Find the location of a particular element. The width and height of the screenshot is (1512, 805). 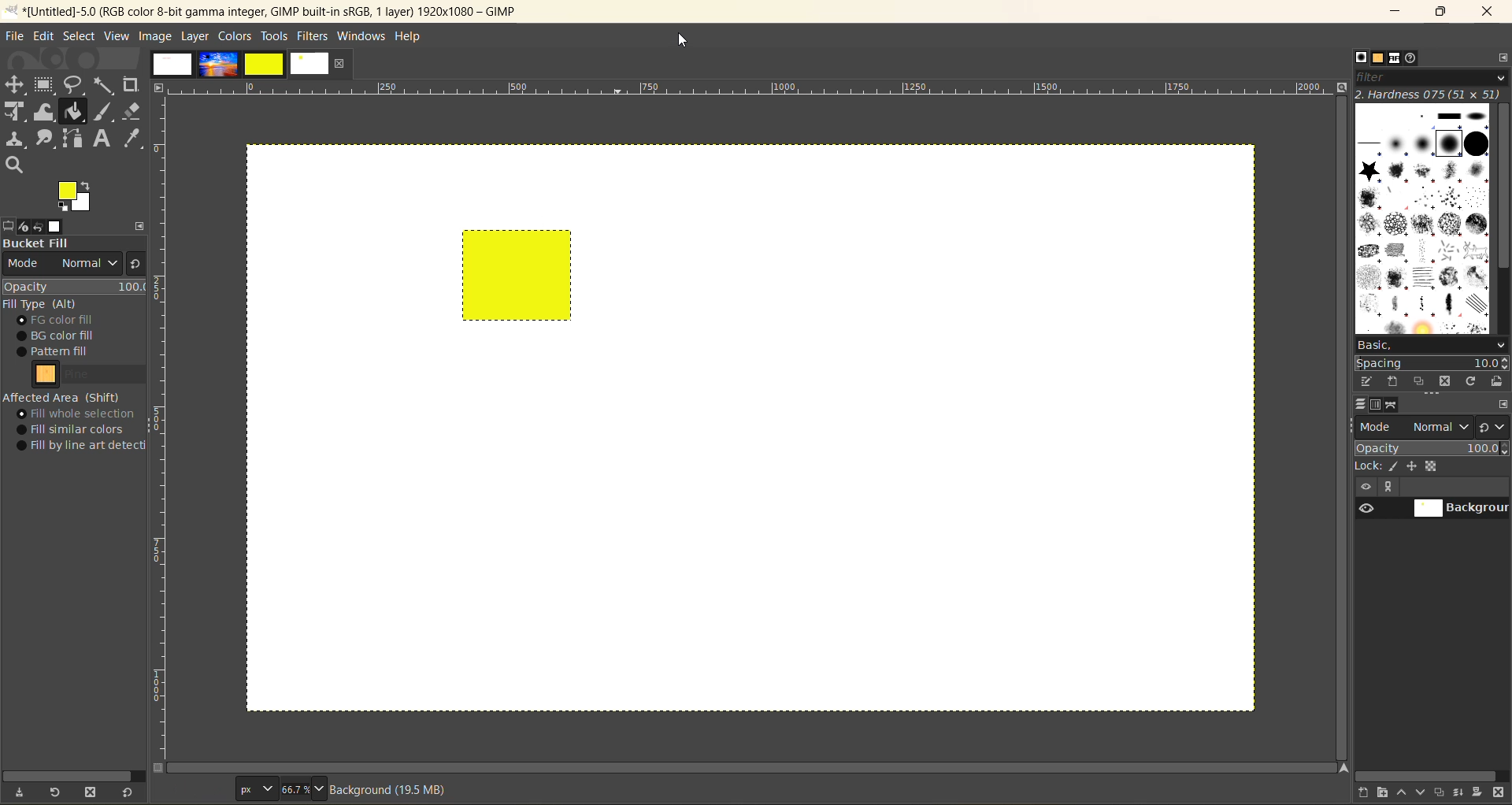

delete this layer is located at coordinates (1499, 794).